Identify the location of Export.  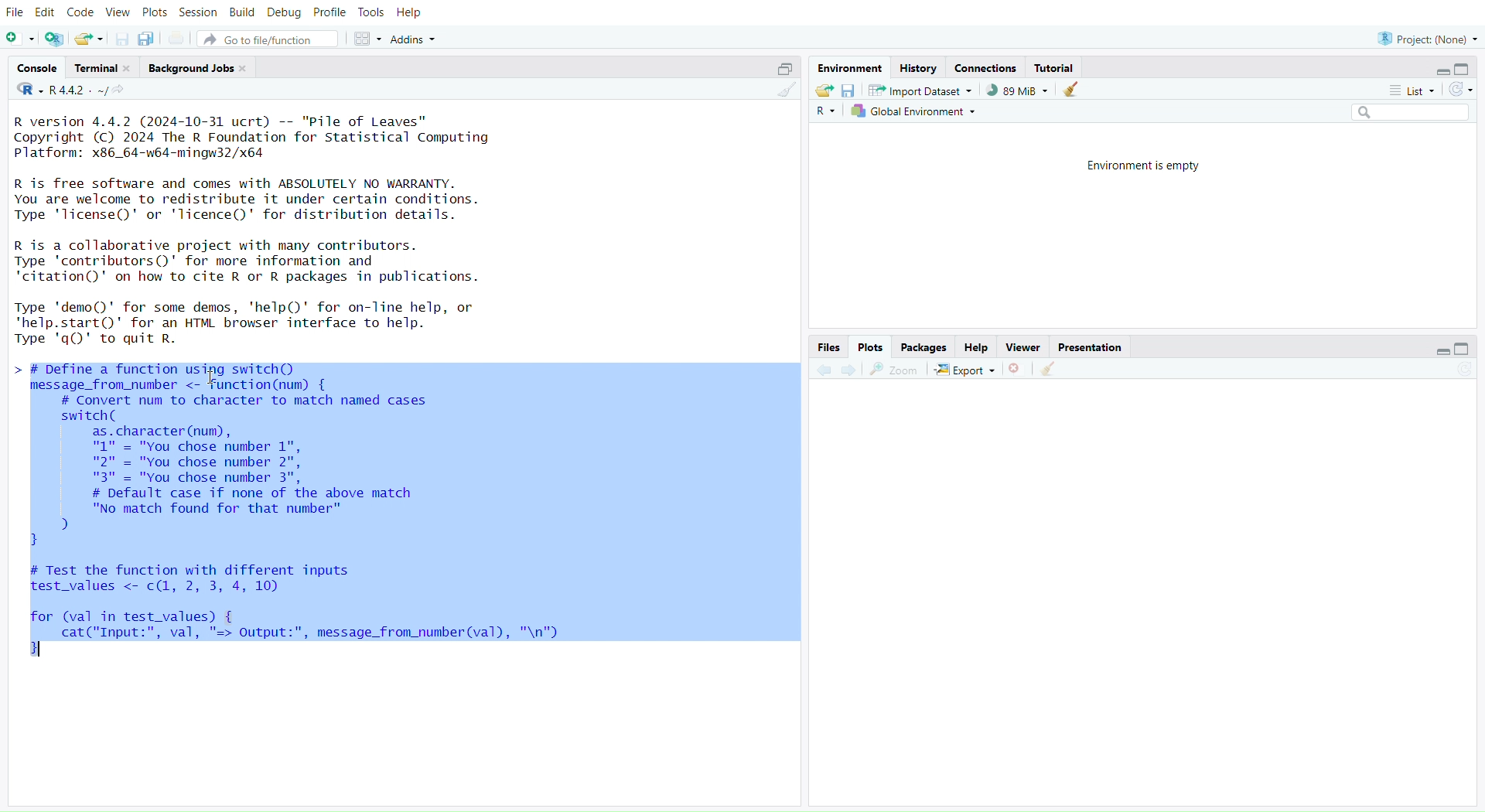
(965, 369).